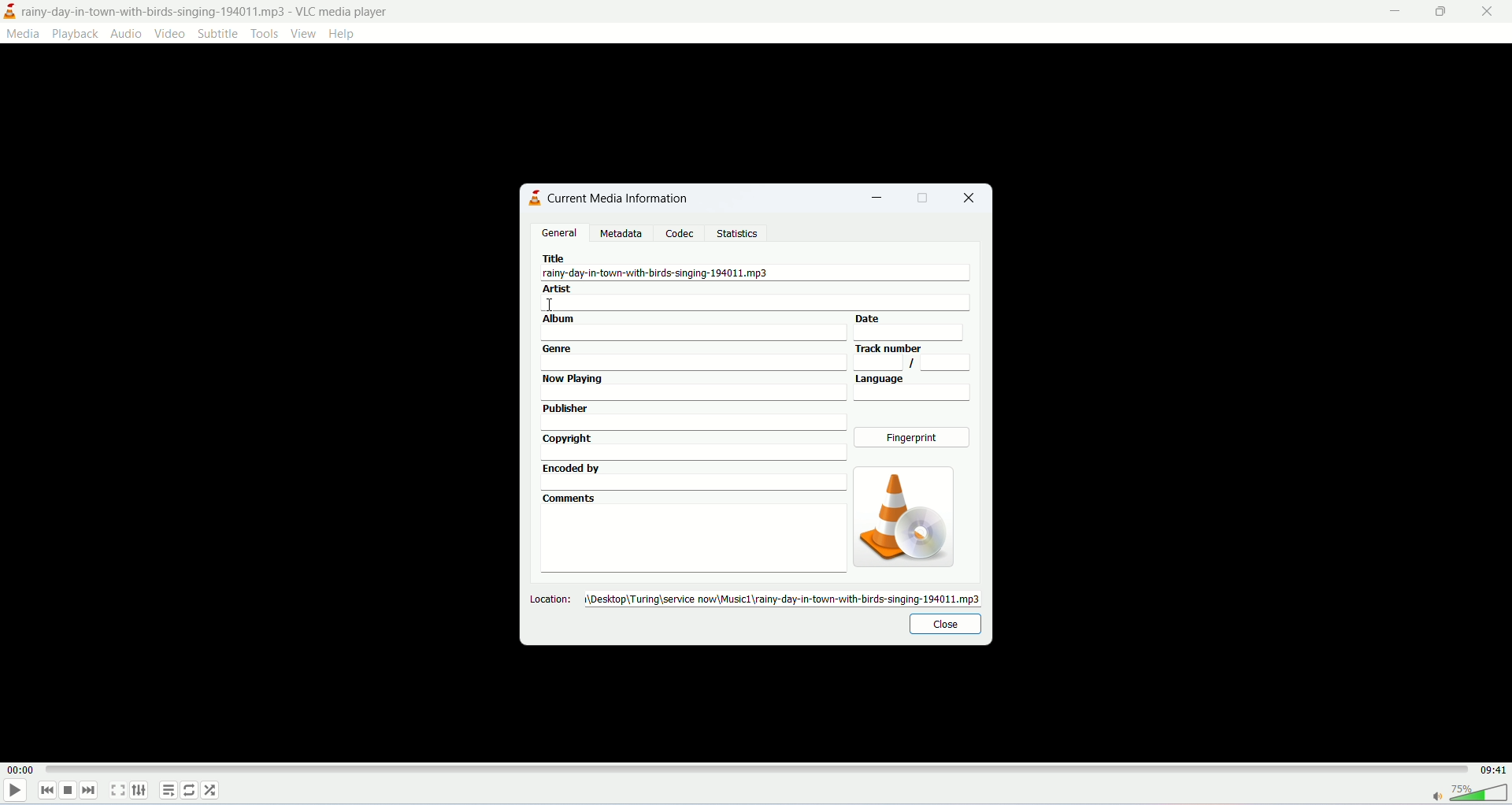 This screenshot has height=805, width=1512. Describe the element at coordinates (20, 771) in the screenshot. I see `played time` at that location.